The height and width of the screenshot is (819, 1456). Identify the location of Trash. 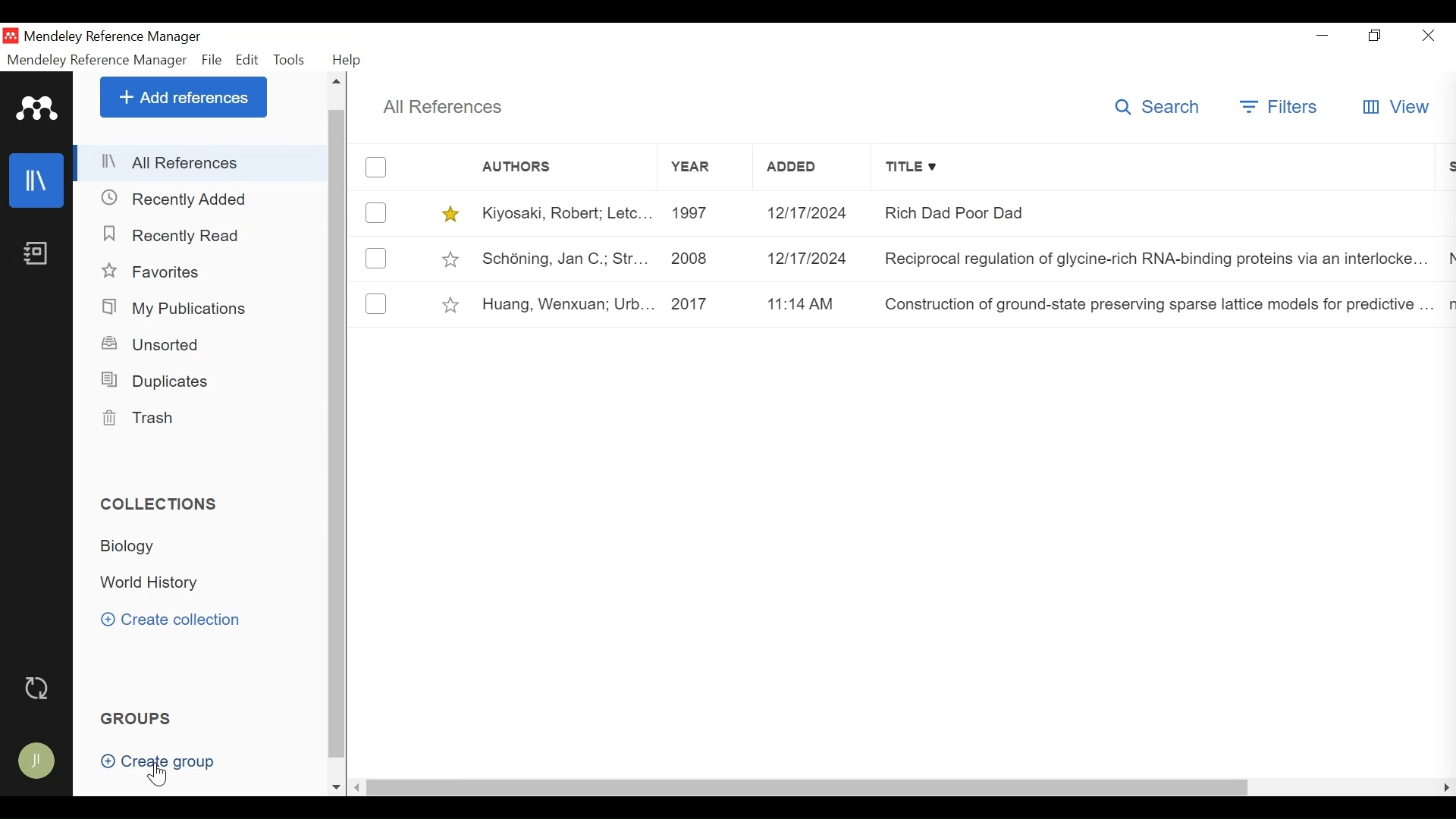
(143, 419).